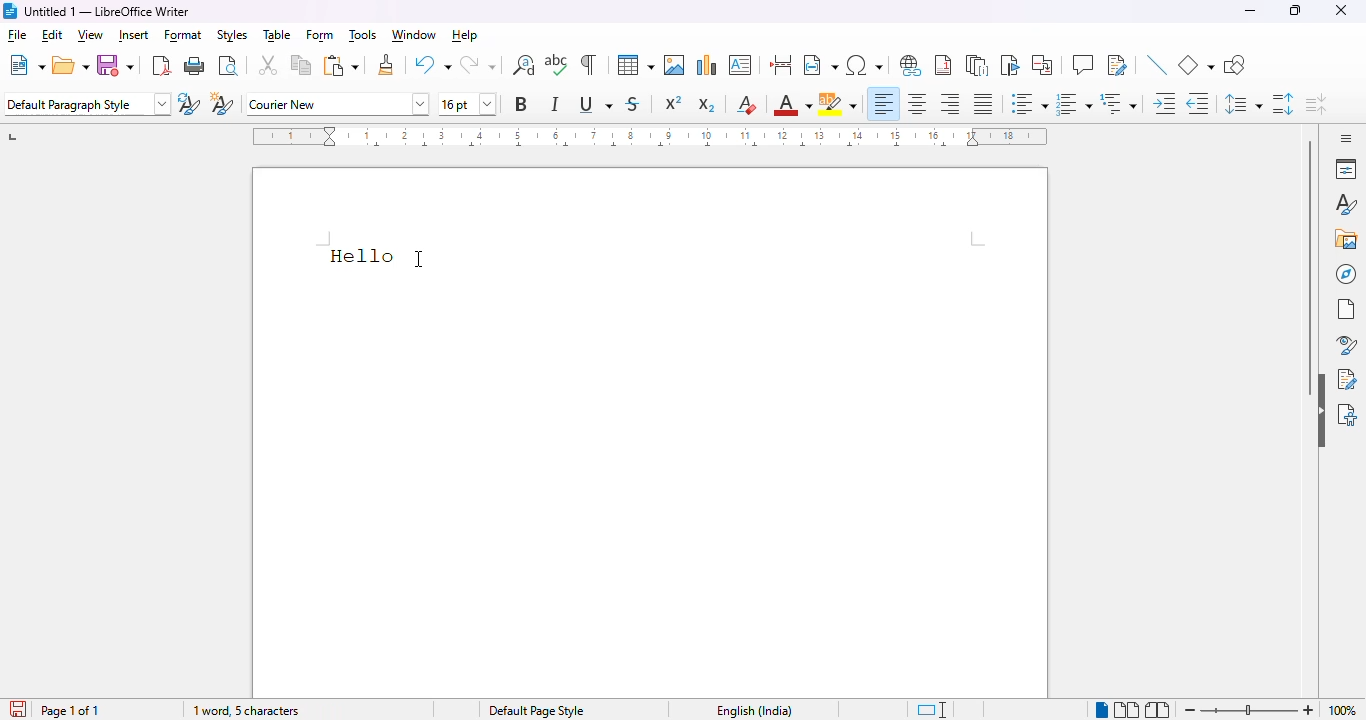 Image resolution: width=1366 pixels, height=720 pixels. I want to click on zoom in , so click(1308, 711).